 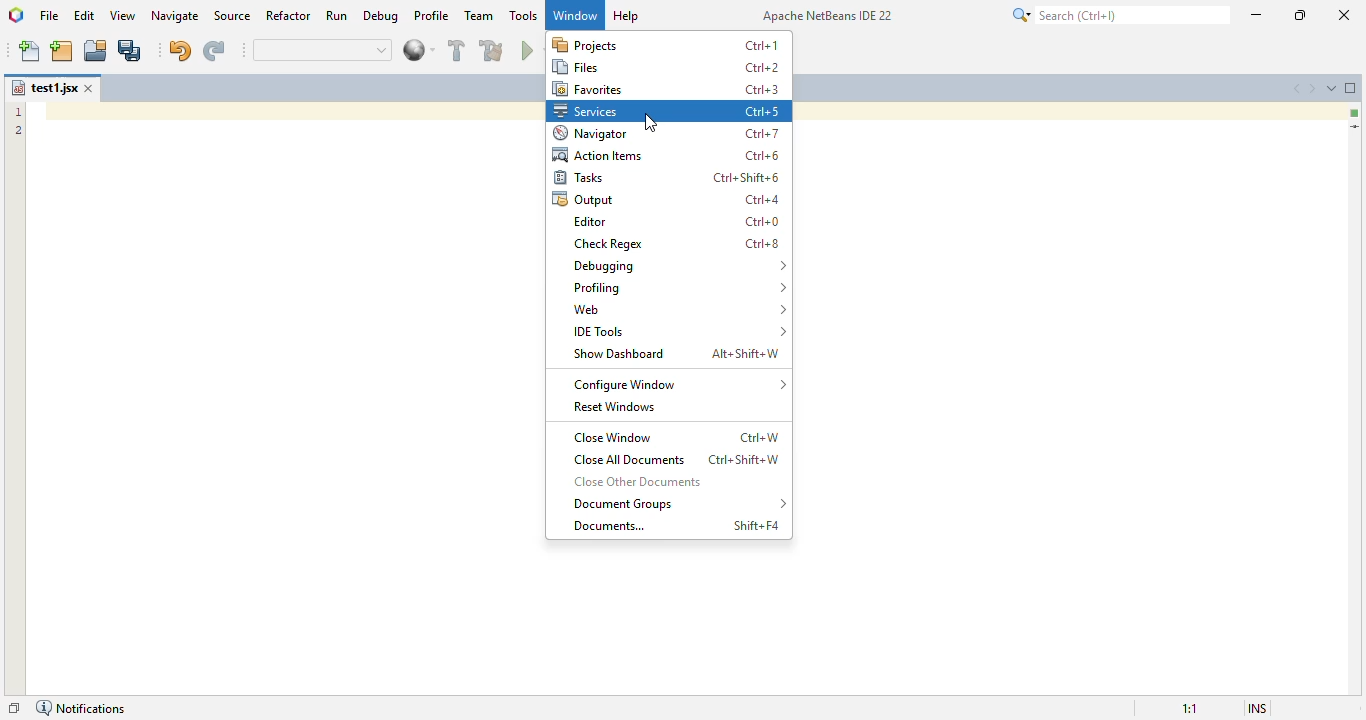 I want to click on tasks, so click(x=578, y=177).